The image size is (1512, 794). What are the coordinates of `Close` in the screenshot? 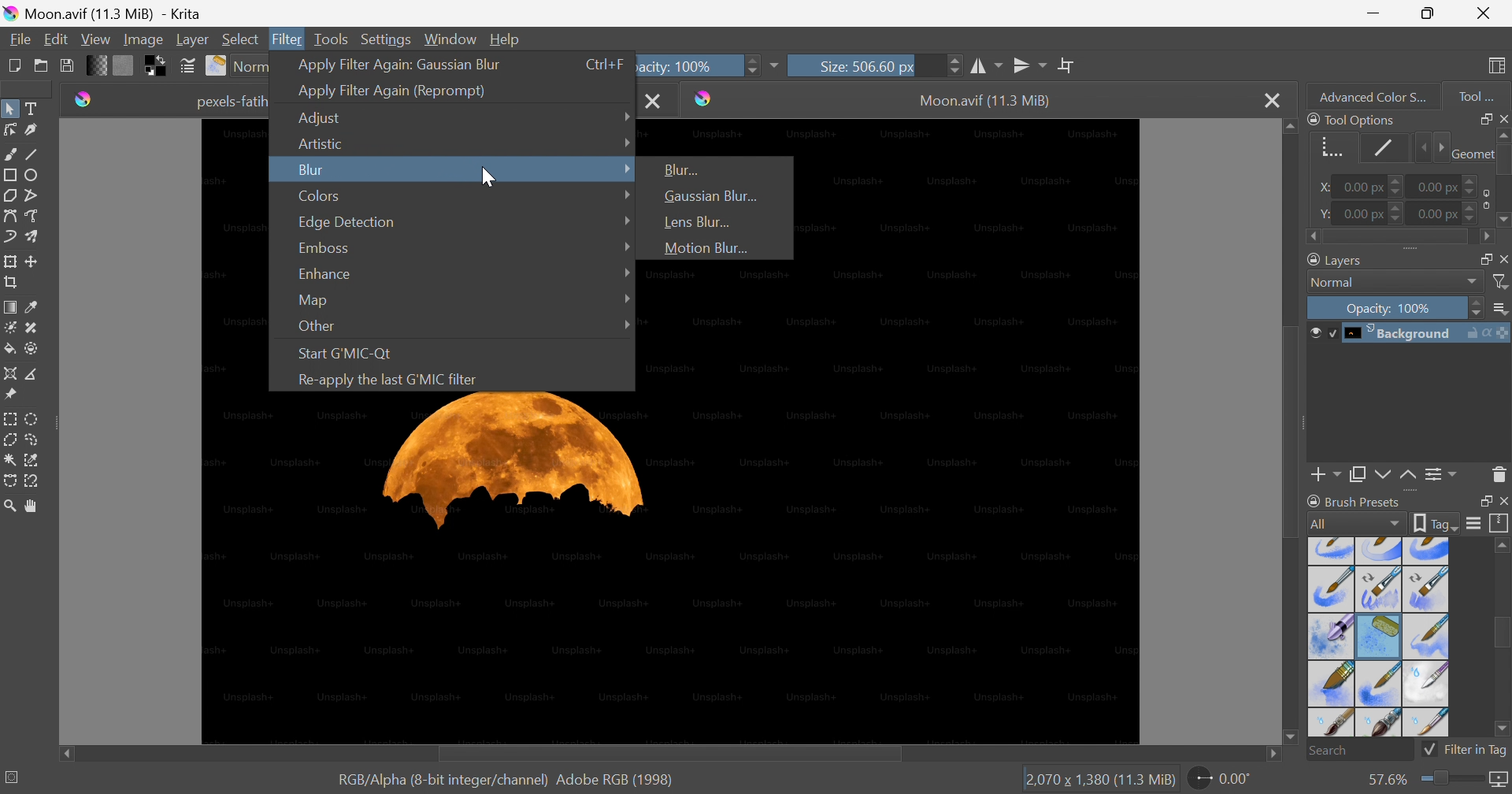 It's located at (1503, 118).